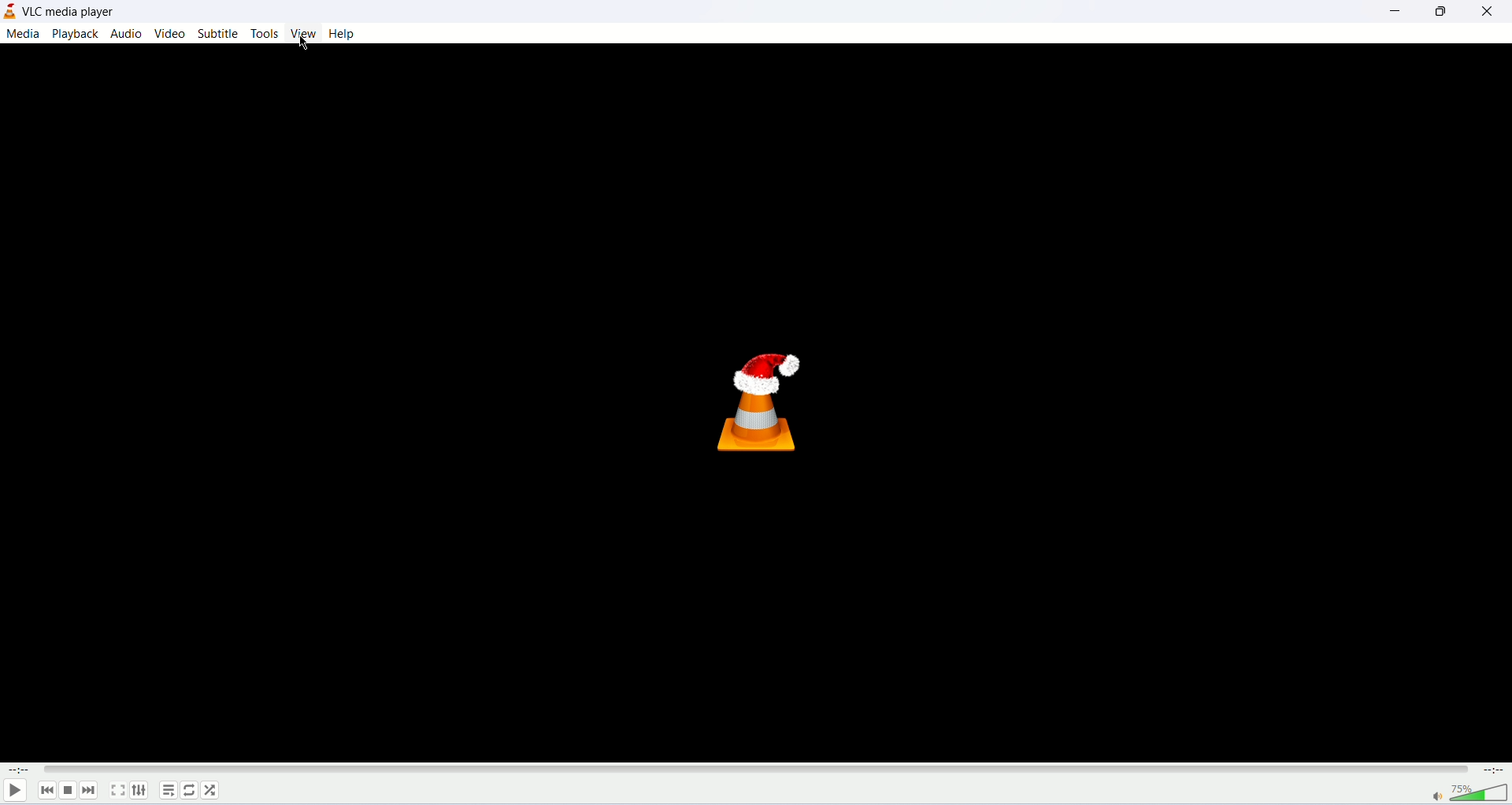 The image size is (1512, 805). Describe the element at coordinates (1439, 12) in the screenshot. I see `maximize` at that location.